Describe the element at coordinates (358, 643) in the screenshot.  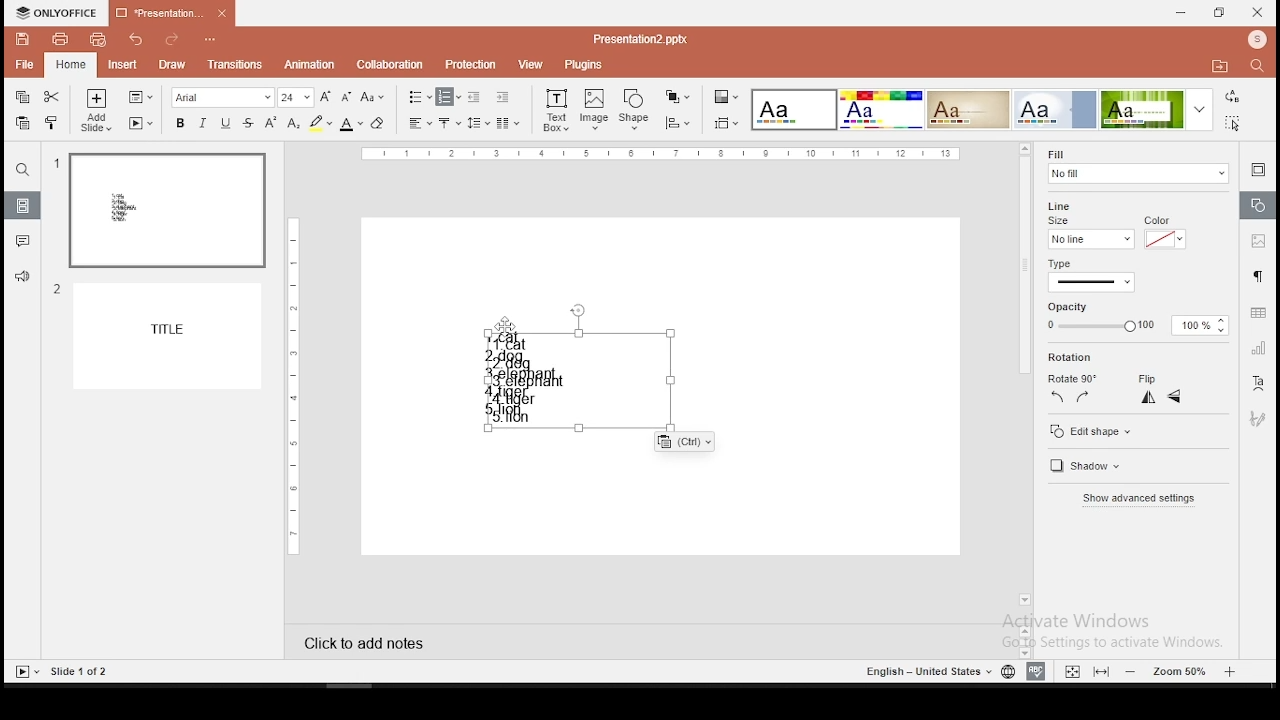
I see `click to add notes` at that location.